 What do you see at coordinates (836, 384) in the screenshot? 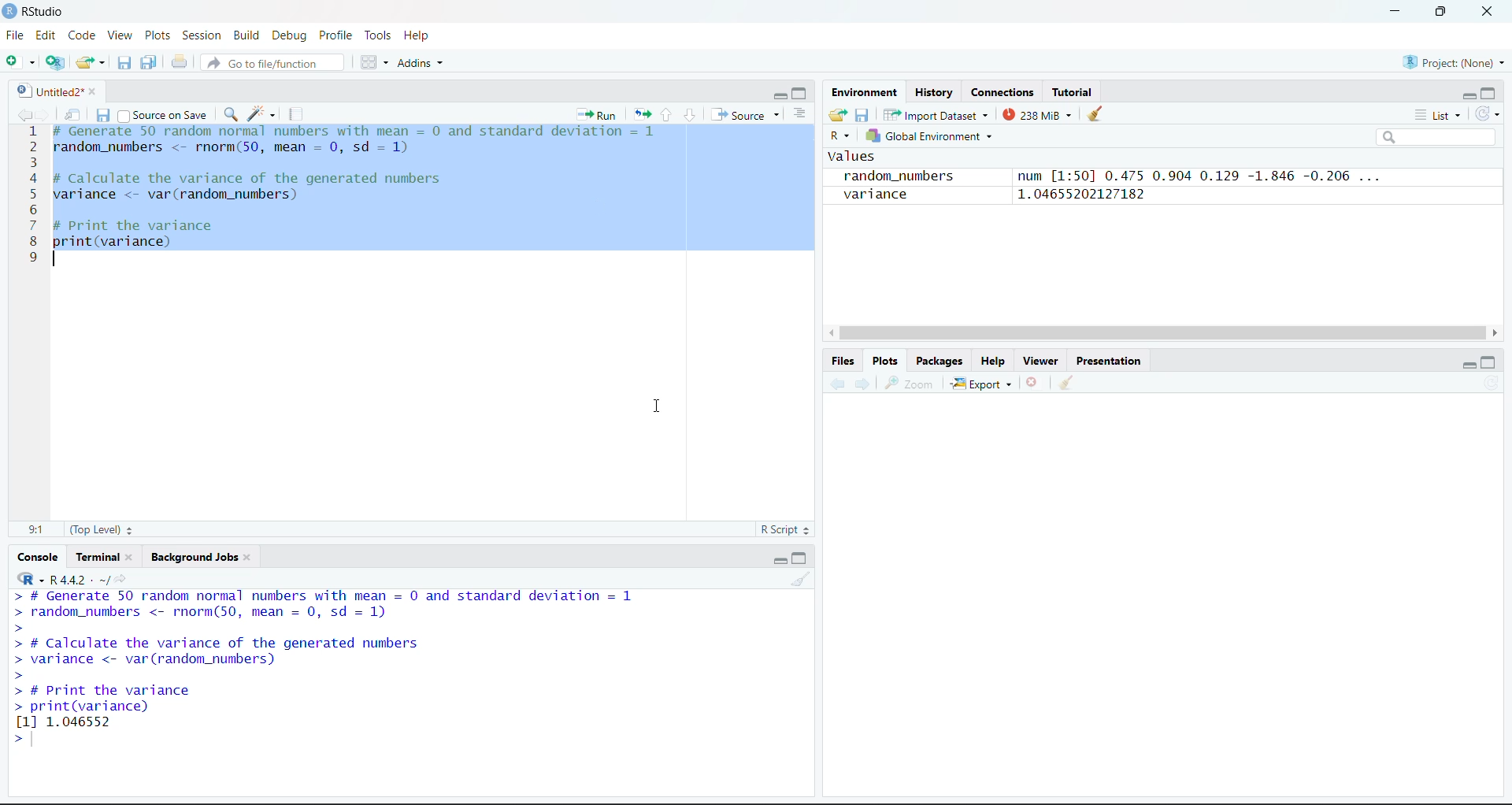
I see `back` at bounding box center [836, 384].